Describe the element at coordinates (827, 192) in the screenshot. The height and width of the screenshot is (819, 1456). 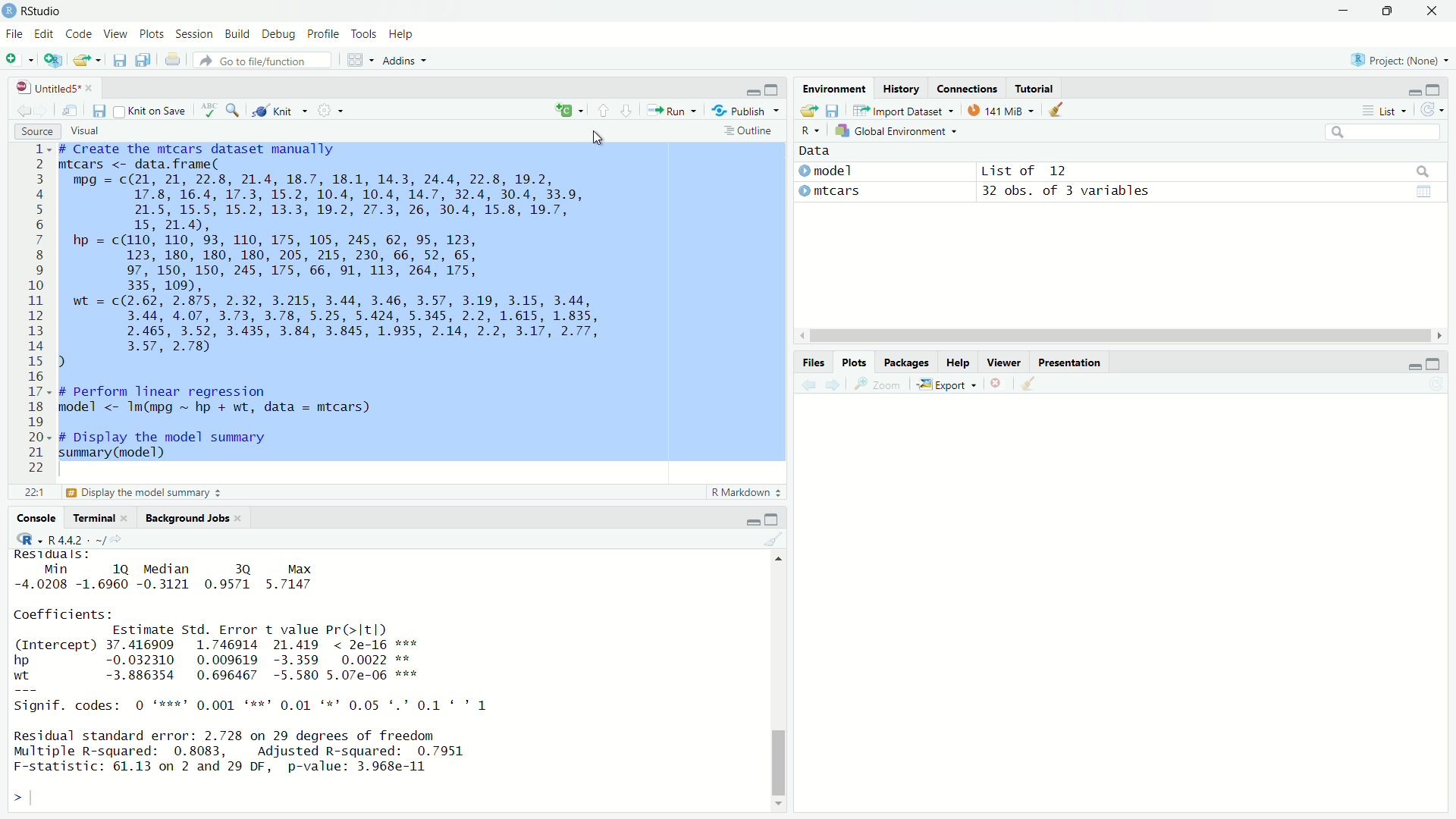
I see `mtcars` at that location.